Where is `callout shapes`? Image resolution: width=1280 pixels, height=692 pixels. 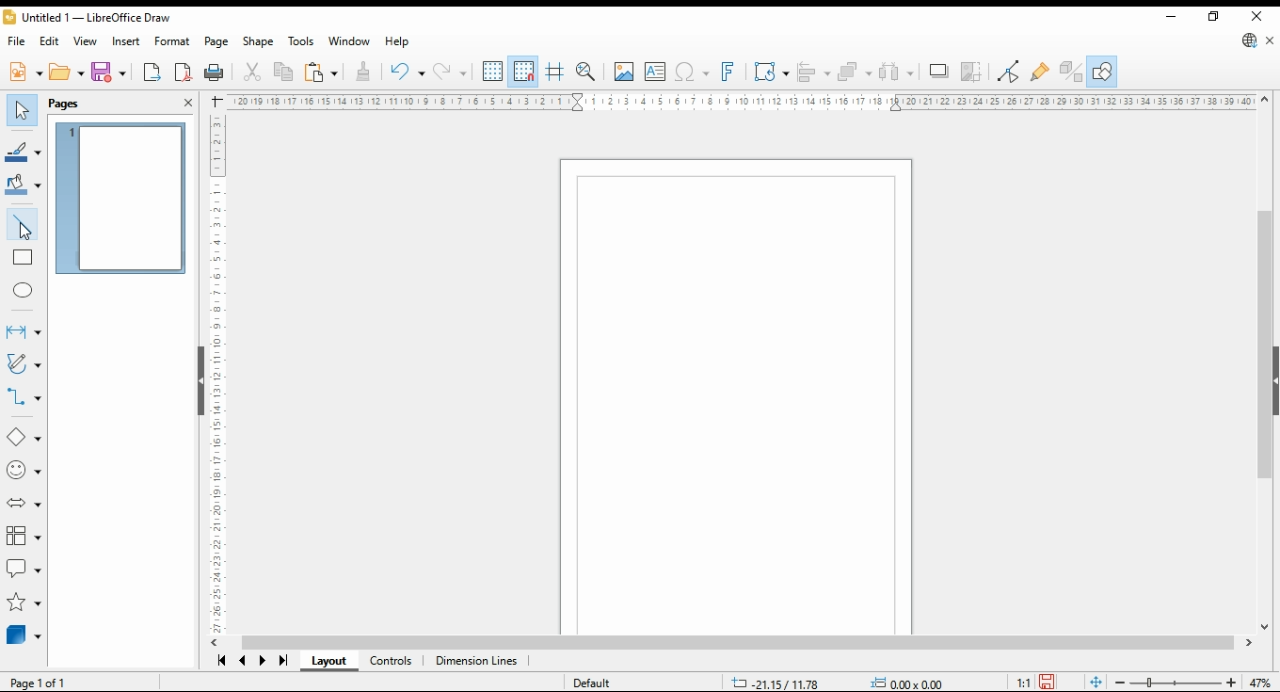
callout shapes is located at coordinates (24, 569).